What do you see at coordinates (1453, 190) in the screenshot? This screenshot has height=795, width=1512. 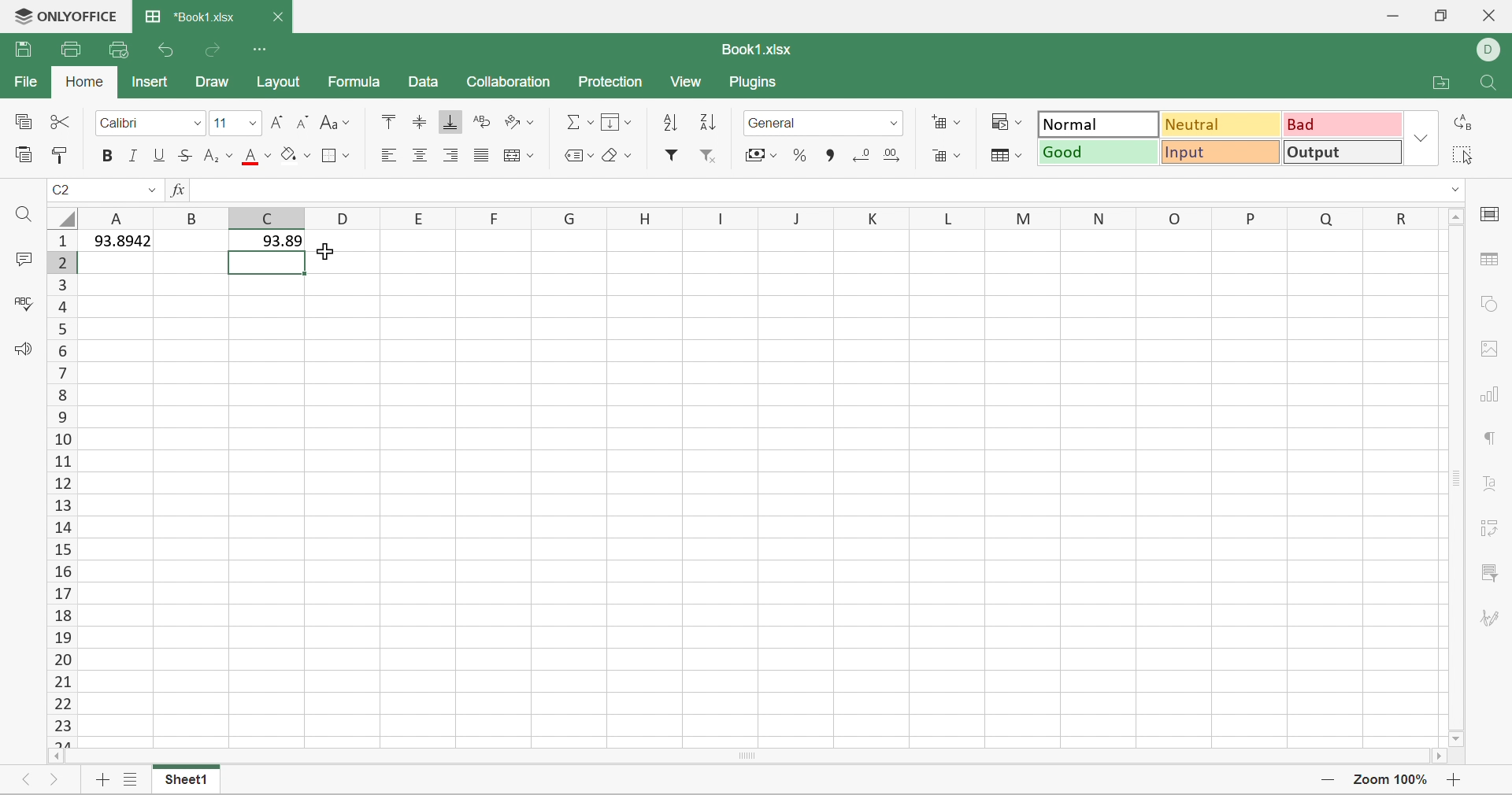 I see `Drop Down` at bounding box center [1453, 190].